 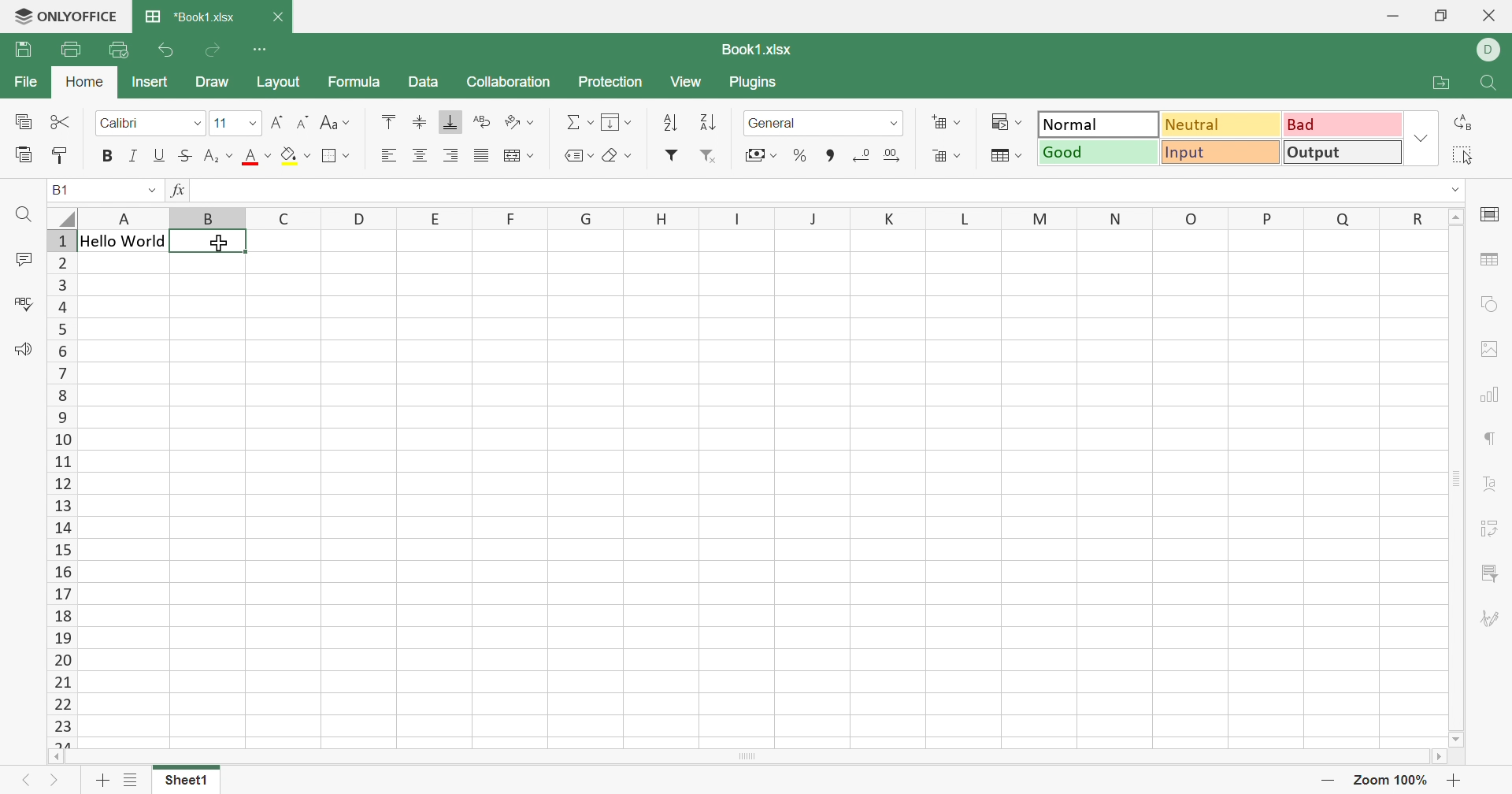 I want to click on Scroll down, so click(x=1458, y=739).